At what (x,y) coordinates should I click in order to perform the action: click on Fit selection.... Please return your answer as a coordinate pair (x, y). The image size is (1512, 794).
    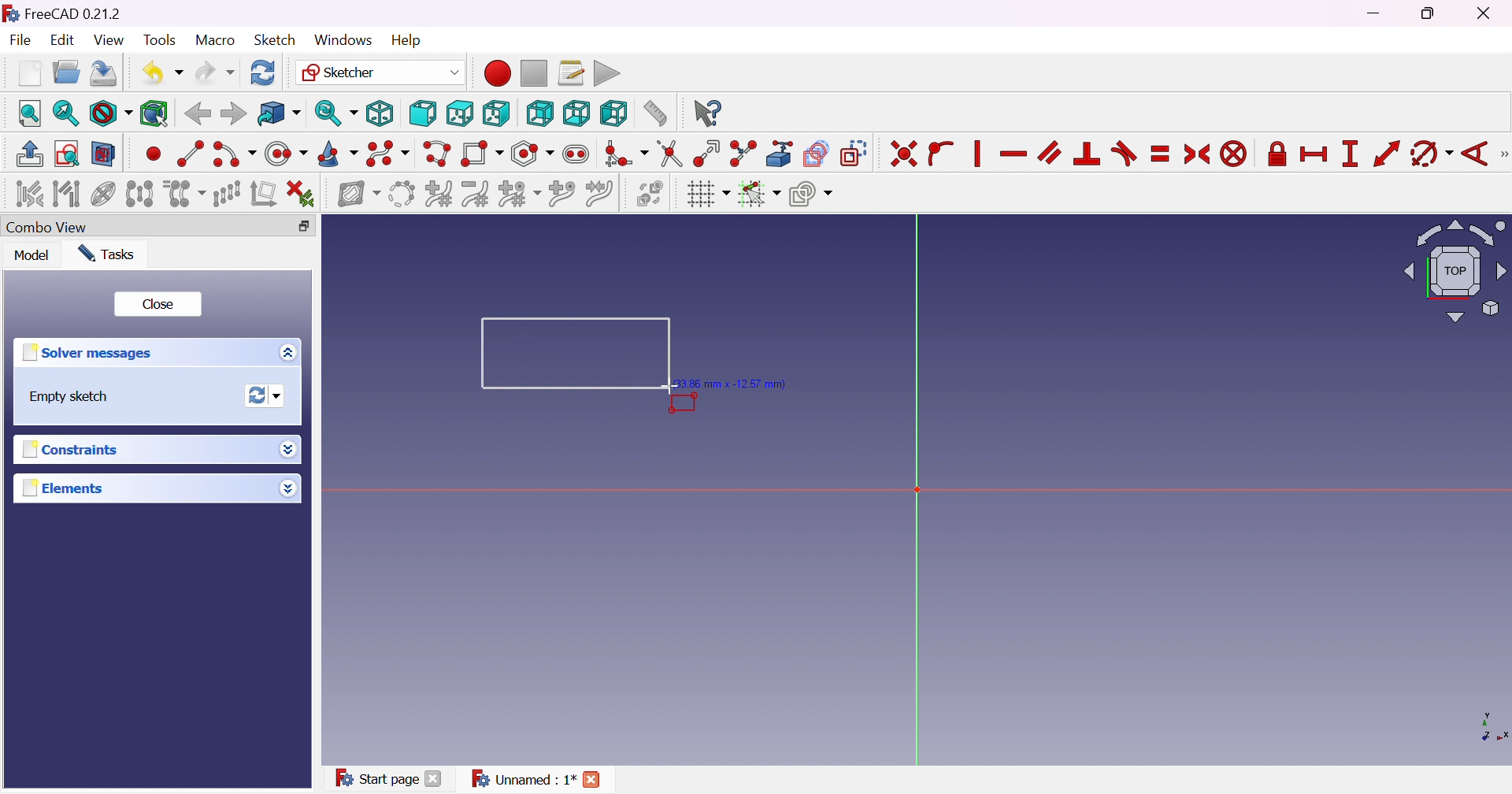
    Looking at the image, I should click on (66, 113).